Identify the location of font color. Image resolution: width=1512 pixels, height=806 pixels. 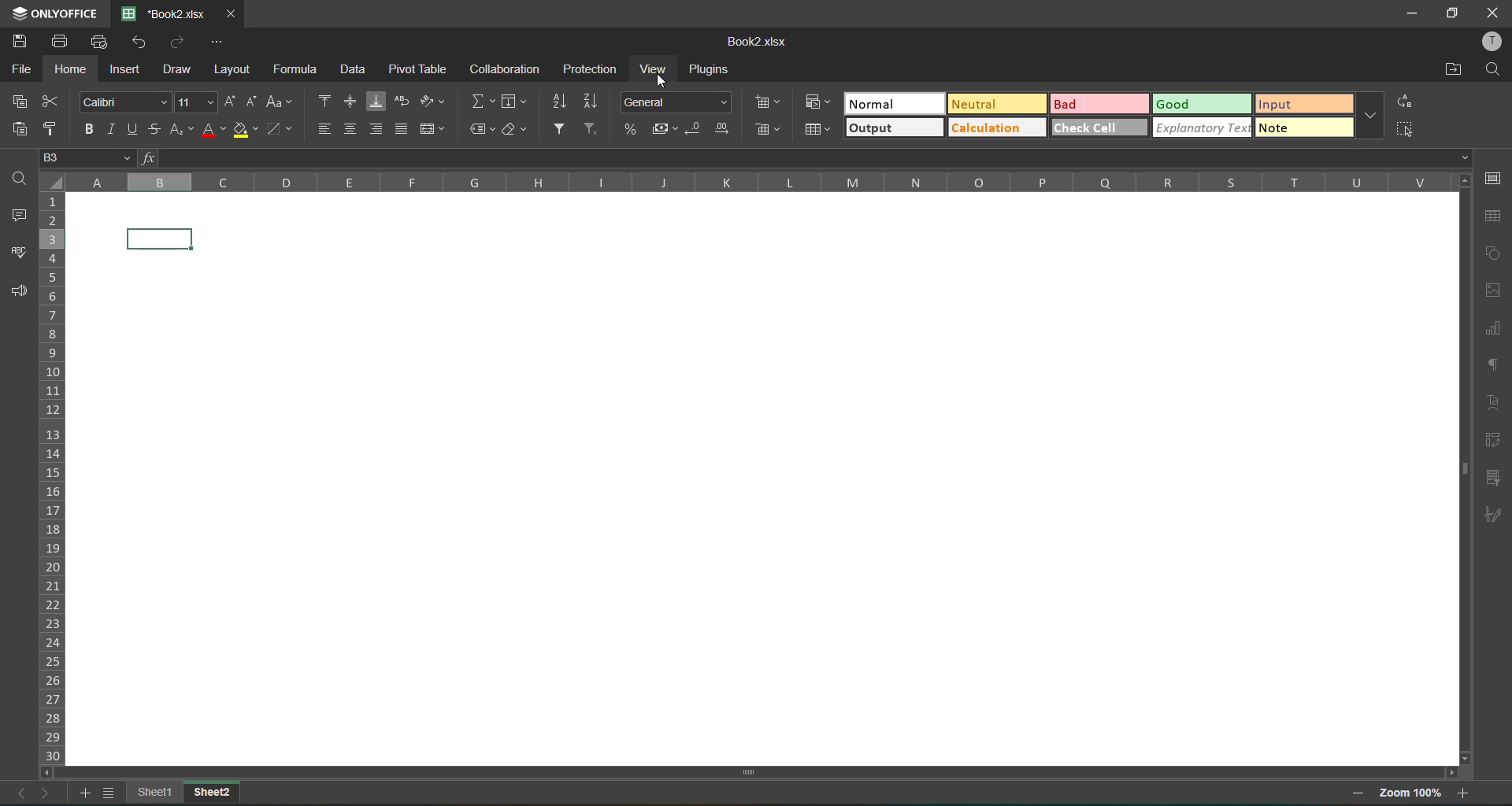
(212, 131).